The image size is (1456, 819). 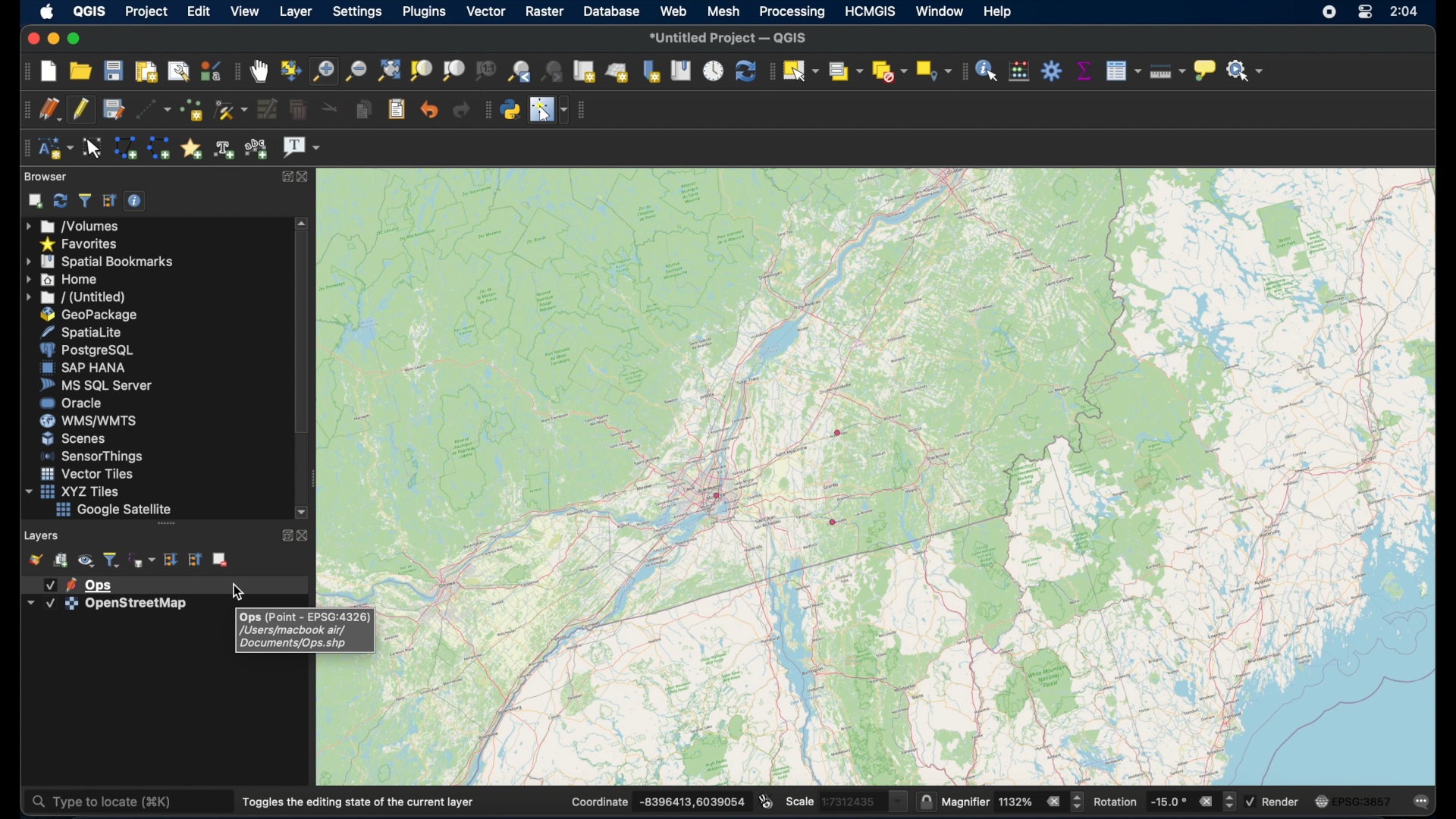 What do you see at coordinates (142, 560) in the screenshot?
I see `filter legend by expression` at bounding box center [142, 560].